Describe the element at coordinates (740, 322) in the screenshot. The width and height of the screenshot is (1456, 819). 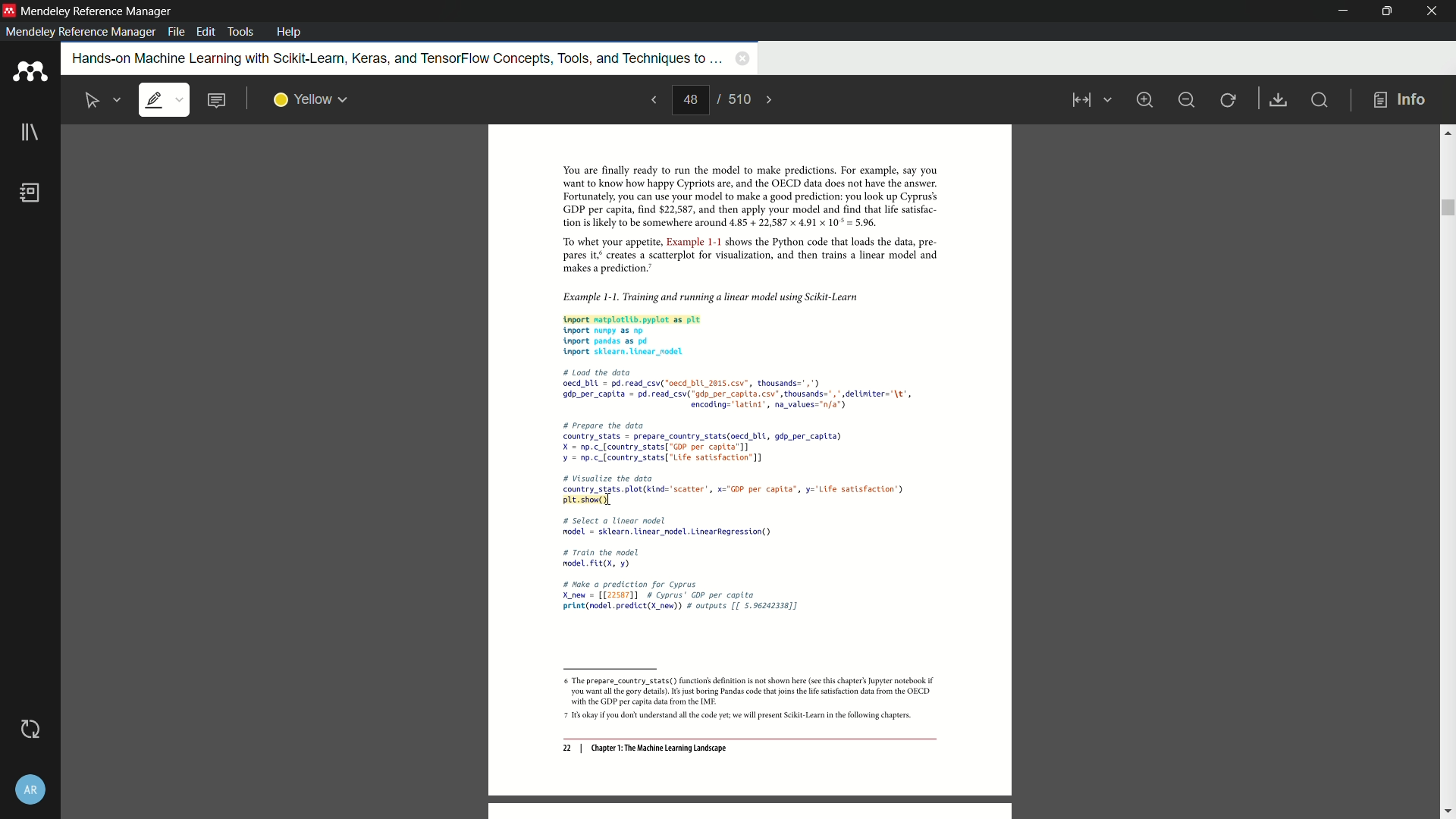
I see `Example 1-1. Training and running a linear model using Scikit-Learn
tnport matplotlib.pyplot as plt

nport nunpy as np.

tnport pandas as pd

tnport sklearn. Linear_nodel` at that location.